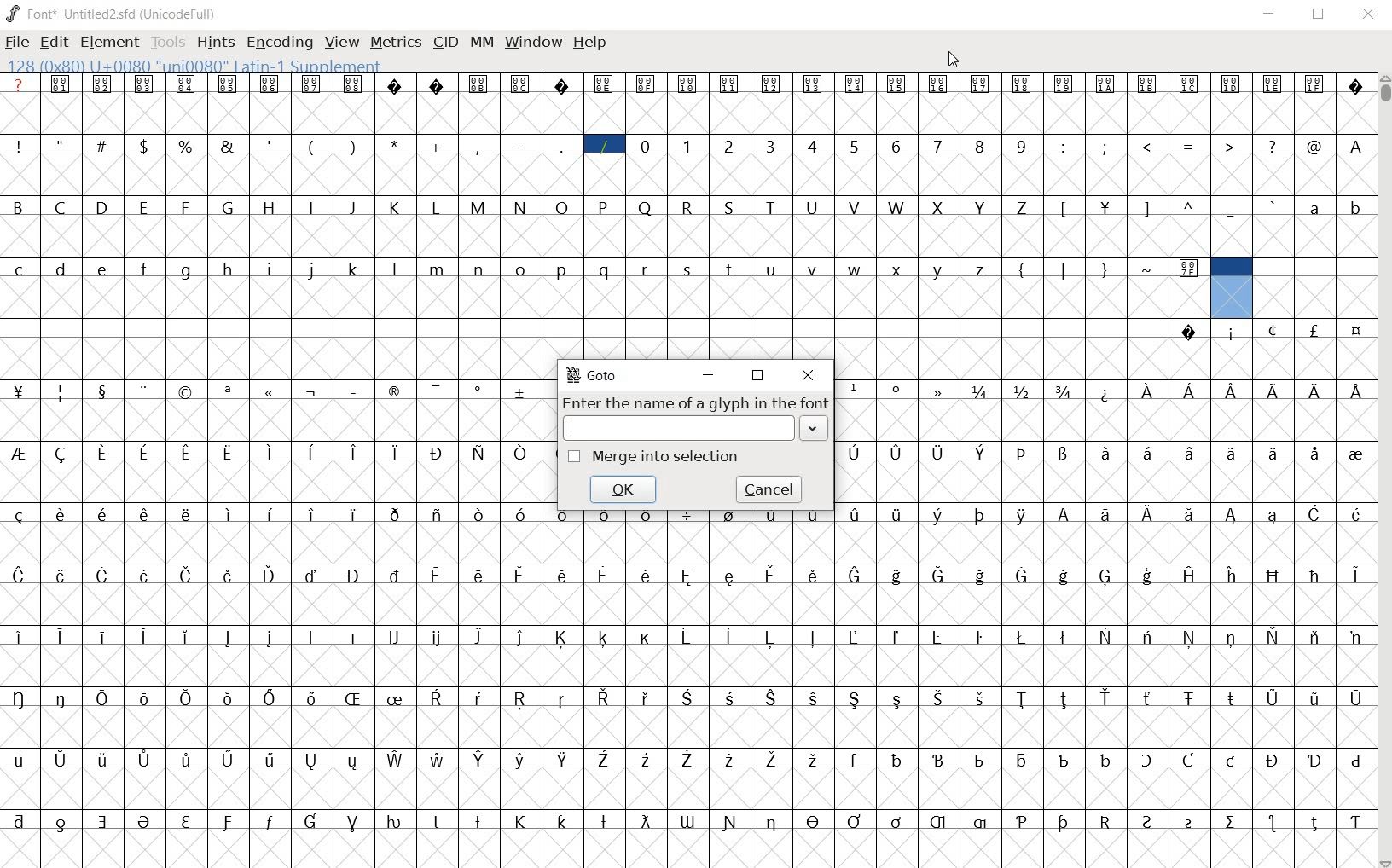 This screenshot has height=868, width=1392. What do you see at coordinates (54, 42) in the screenshot?
I see `edit` at bounding box center [54, 42].